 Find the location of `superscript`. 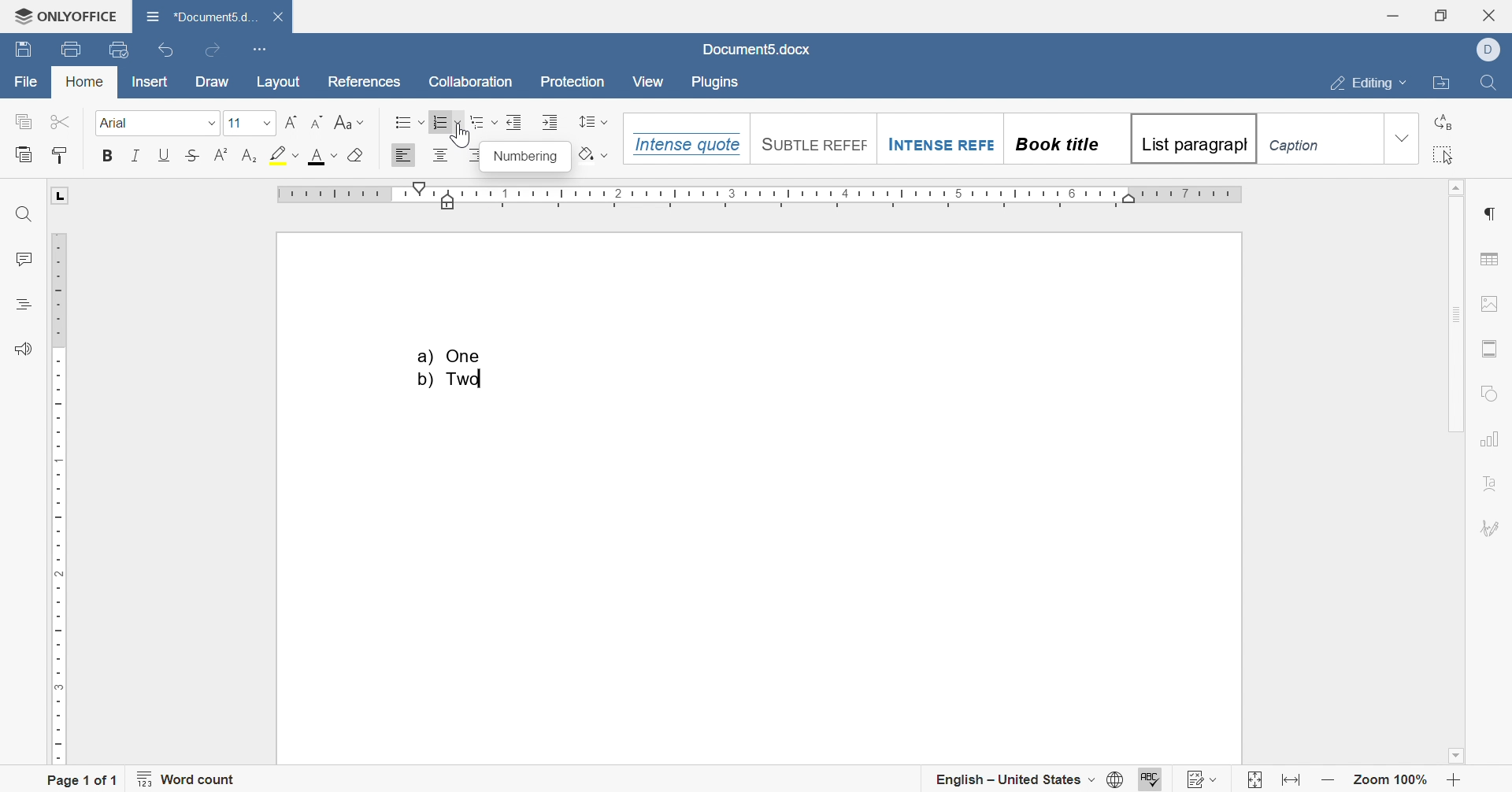

superscript is located at coordinates (222, 152).